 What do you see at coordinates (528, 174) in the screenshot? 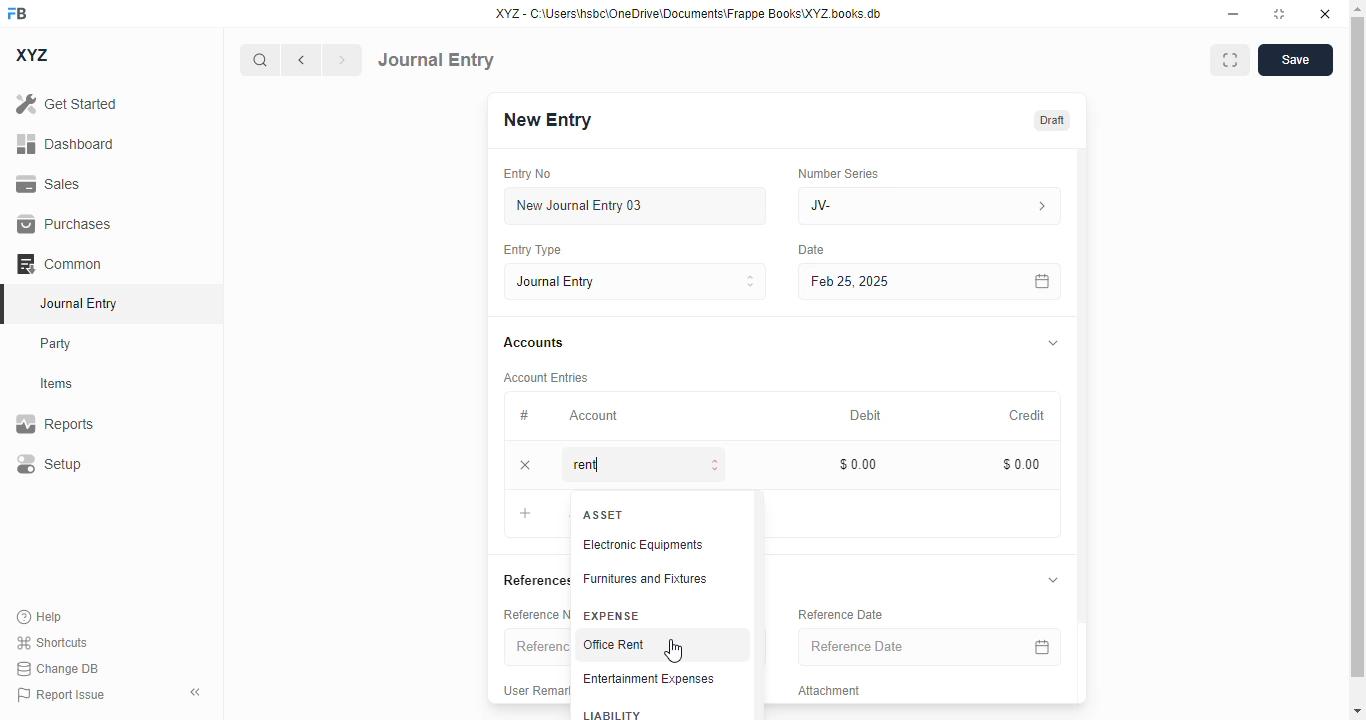
I see `entry no` at bounding box center [528, 174].